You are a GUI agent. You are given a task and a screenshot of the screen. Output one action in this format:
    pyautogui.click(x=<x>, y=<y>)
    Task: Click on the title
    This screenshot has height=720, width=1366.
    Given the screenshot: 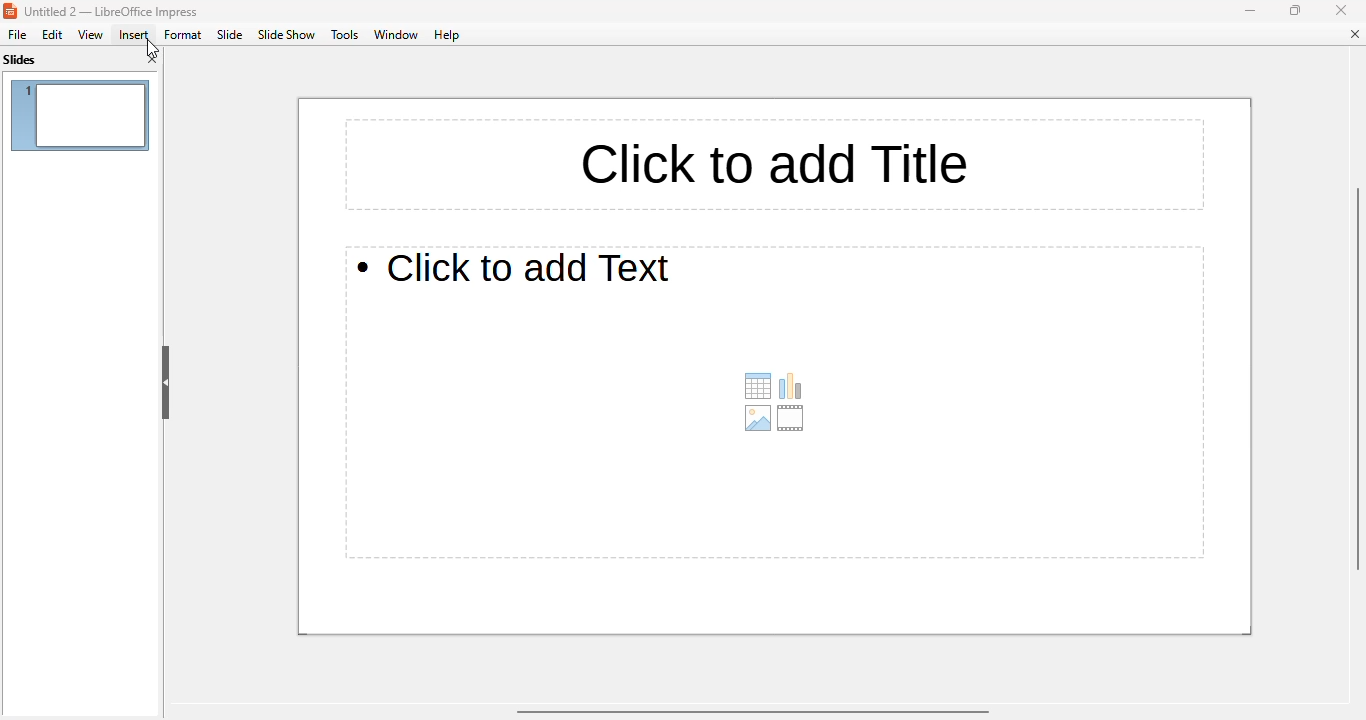 What is the action you would take?
    pyautogui.click(x=113, y=13)
    